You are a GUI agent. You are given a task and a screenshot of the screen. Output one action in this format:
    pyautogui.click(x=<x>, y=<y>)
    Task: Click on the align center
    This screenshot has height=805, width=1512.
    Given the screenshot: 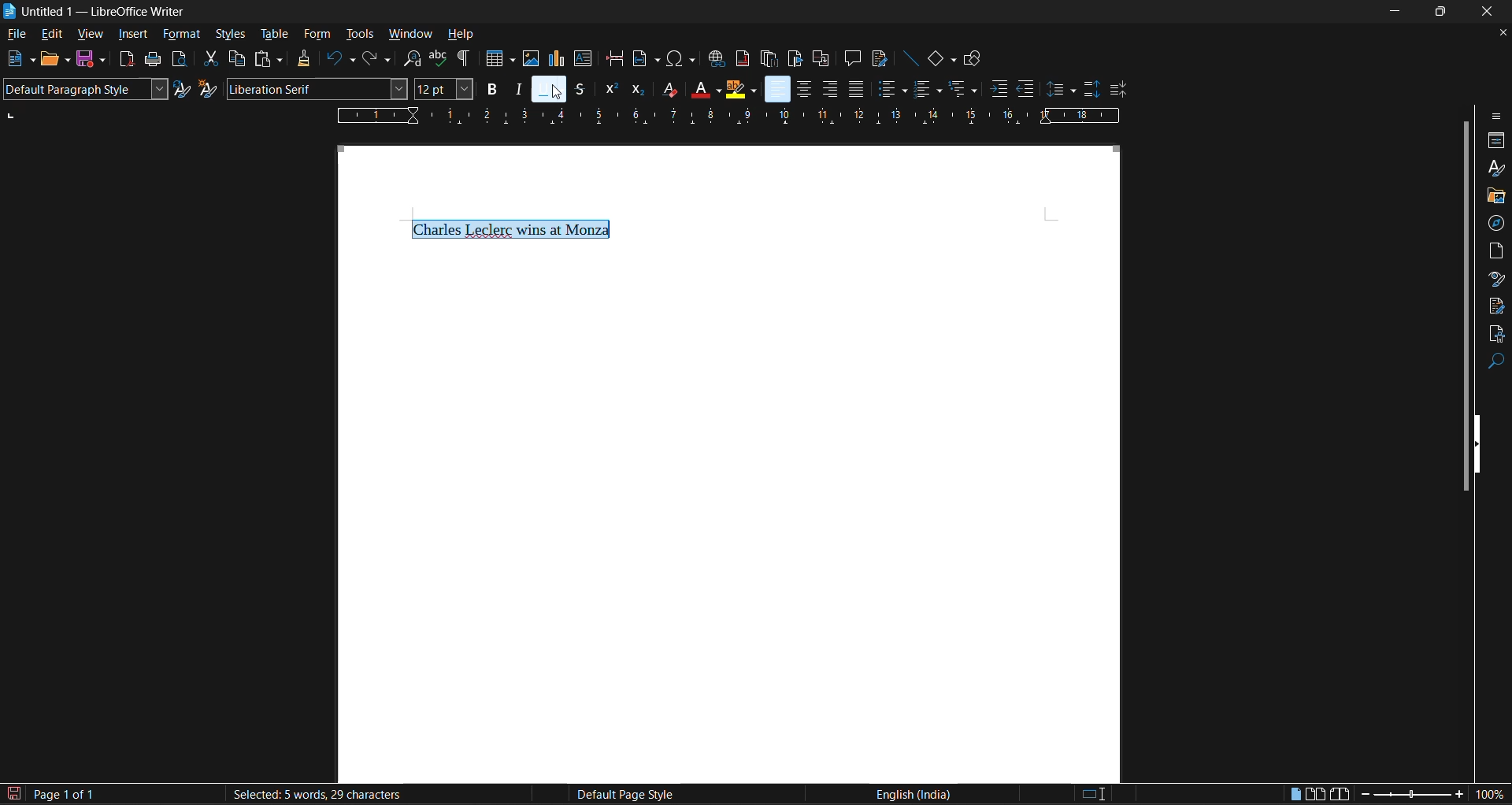 What is the action you would take?
    pyautogui.click(x=801, y=91)
    